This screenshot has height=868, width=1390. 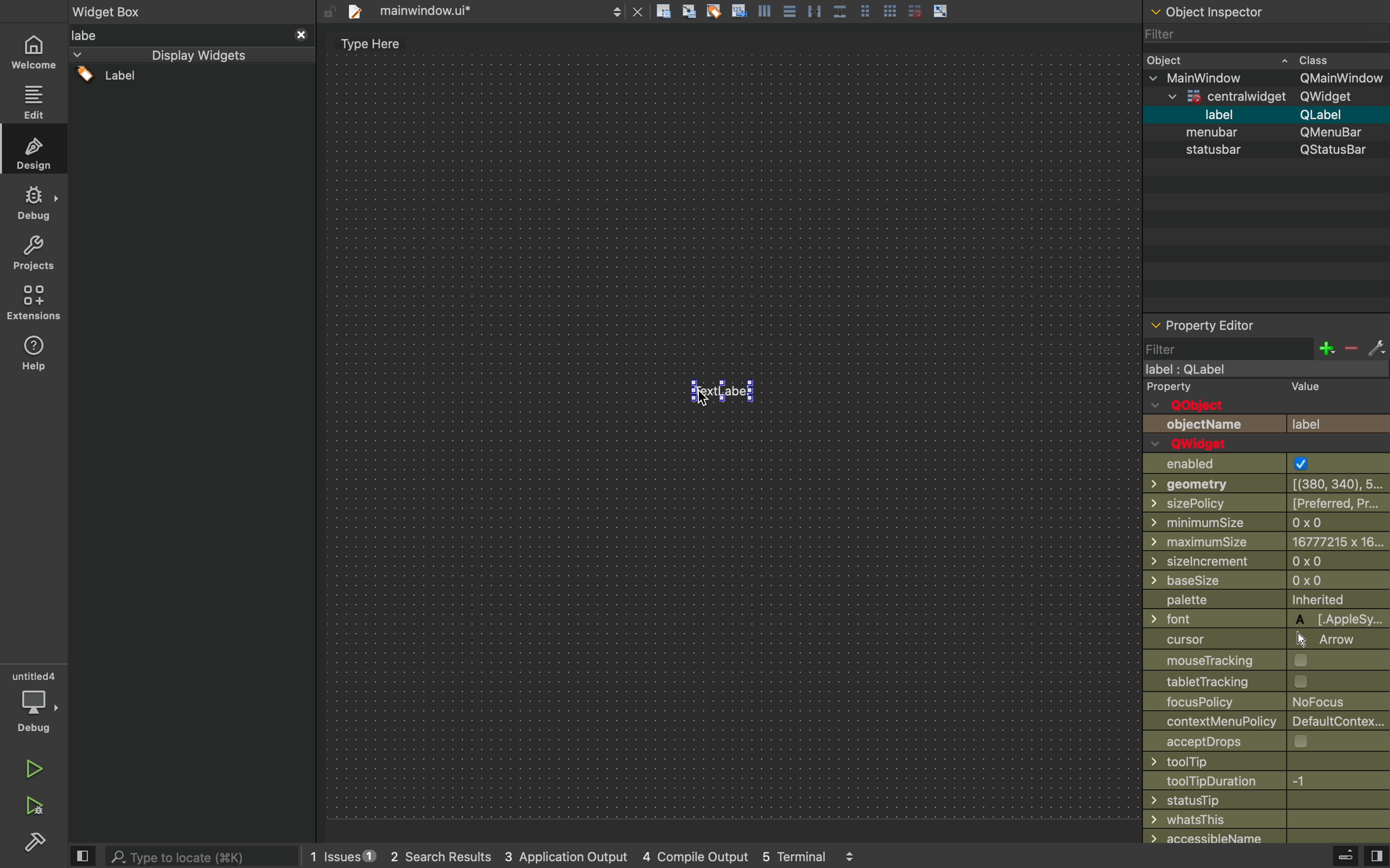 What do you see at coordinates (32, 254) in the screenshot?
I see `projects` at bounding box center [32, 254].